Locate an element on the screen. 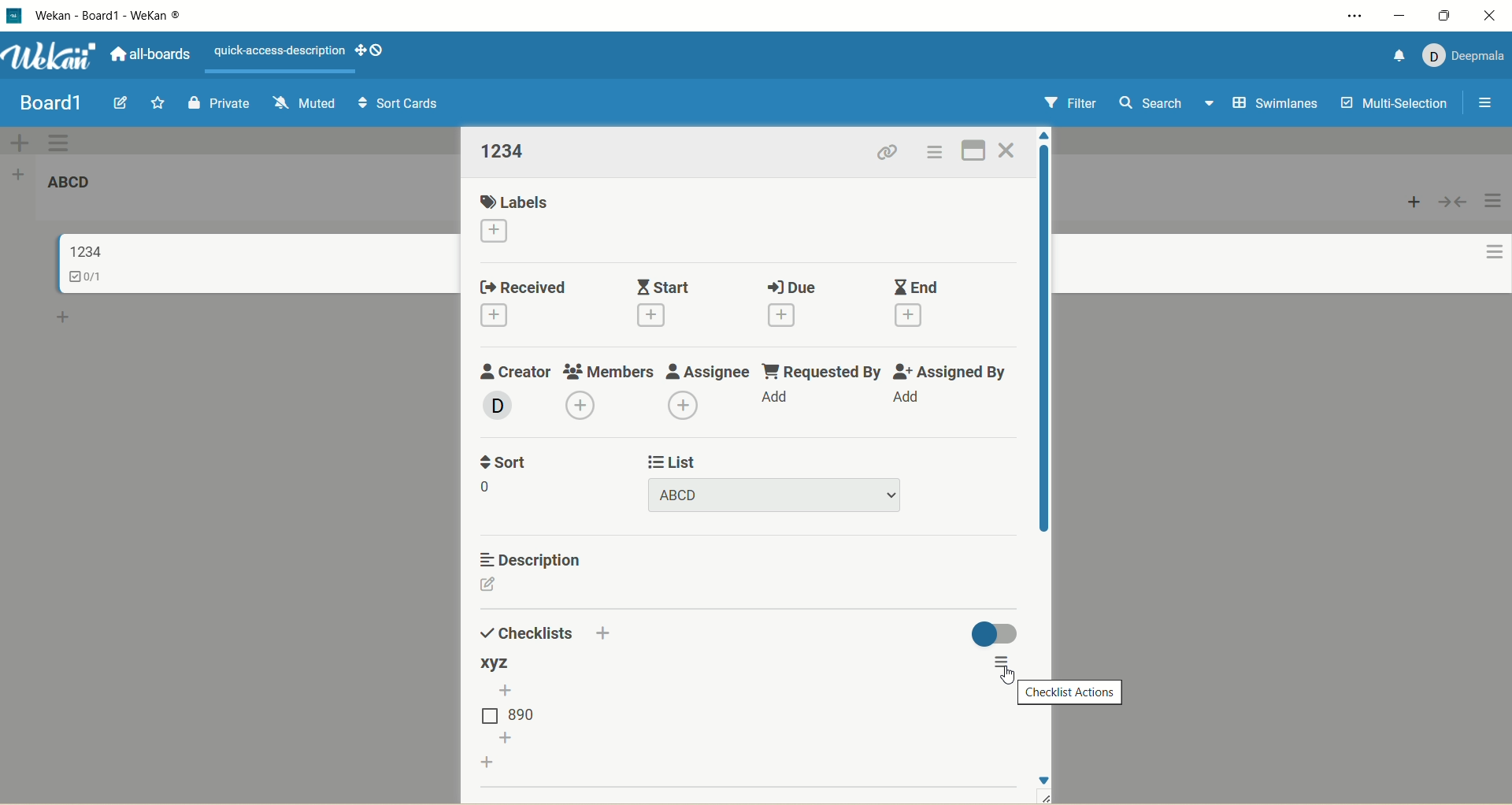  due is located at coordinates (790, 287).